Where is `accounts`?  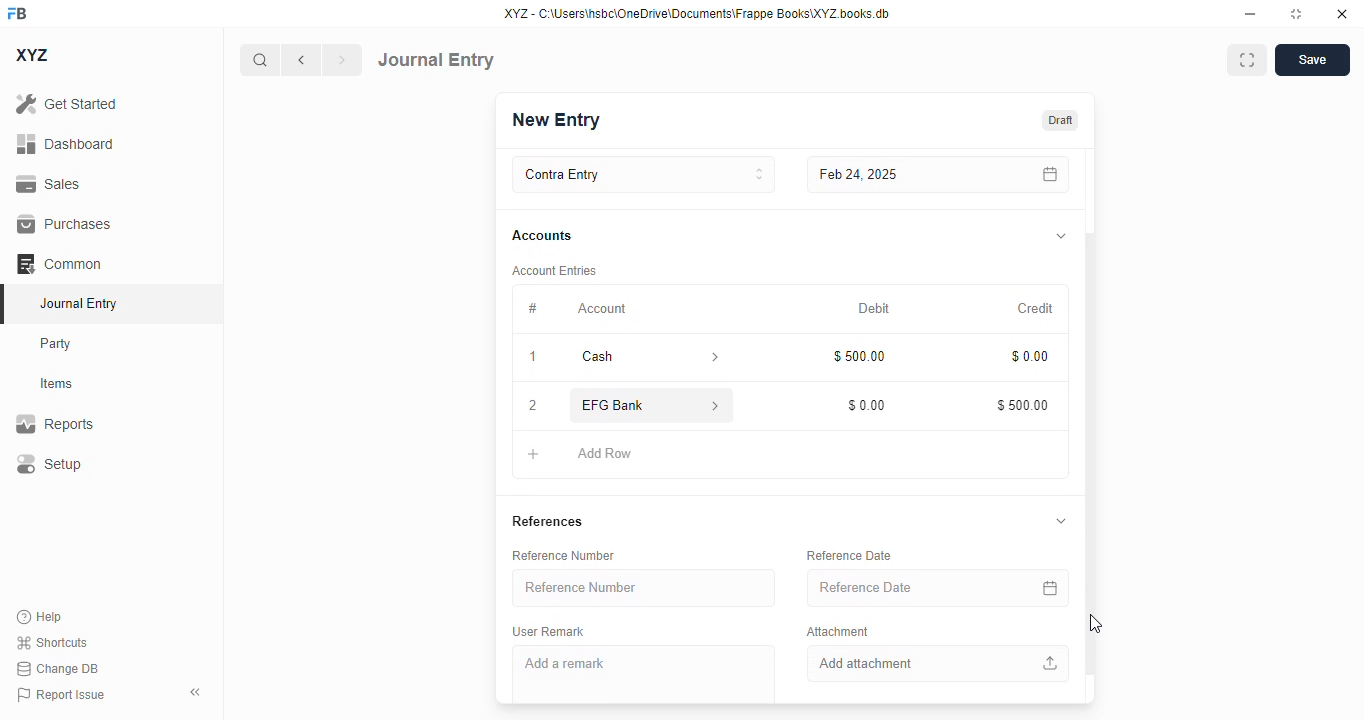
accounts is located at coordinates (542, 236).